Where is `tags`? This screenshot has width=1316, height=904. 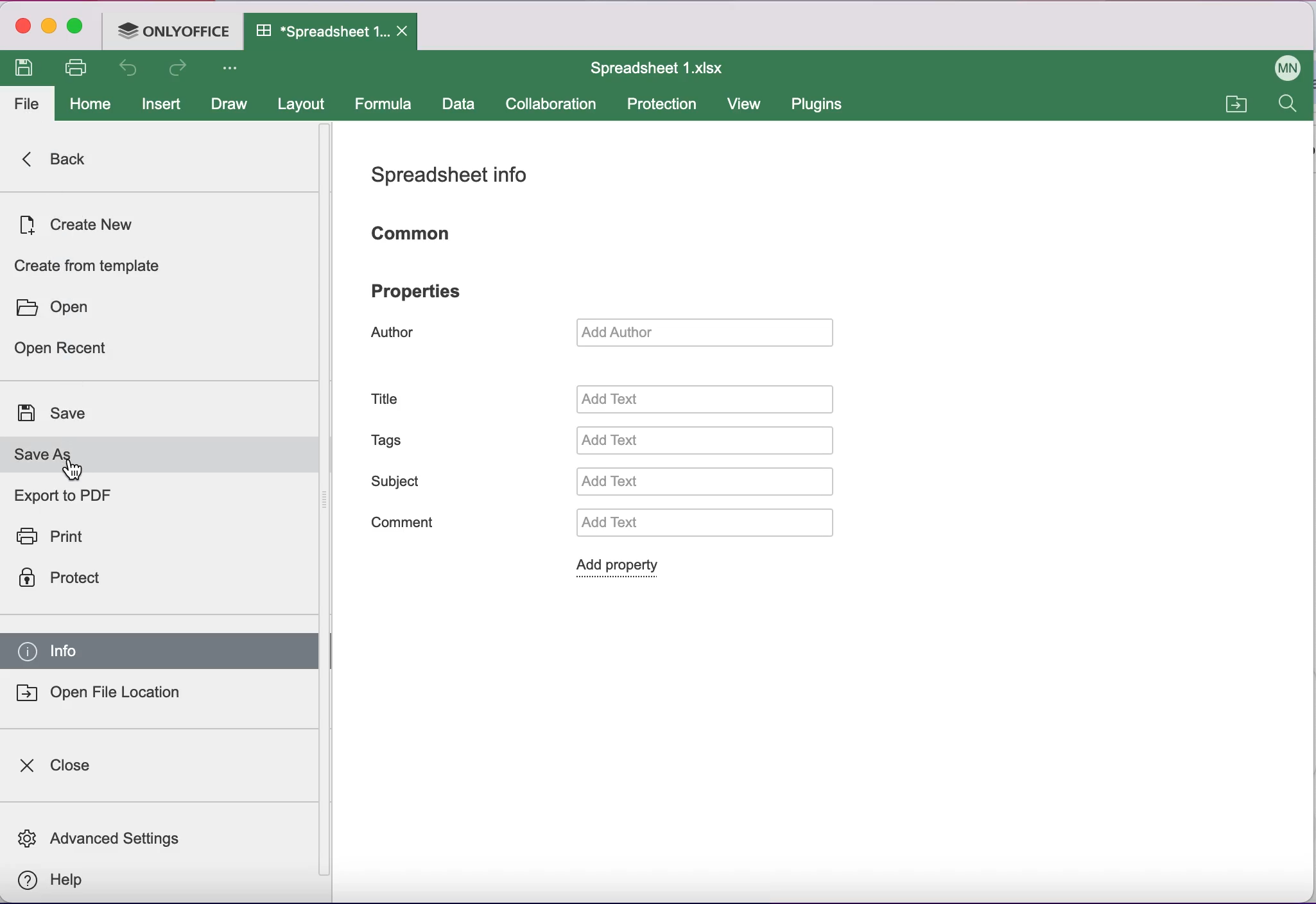 tags is located at coordinates (392, 440).